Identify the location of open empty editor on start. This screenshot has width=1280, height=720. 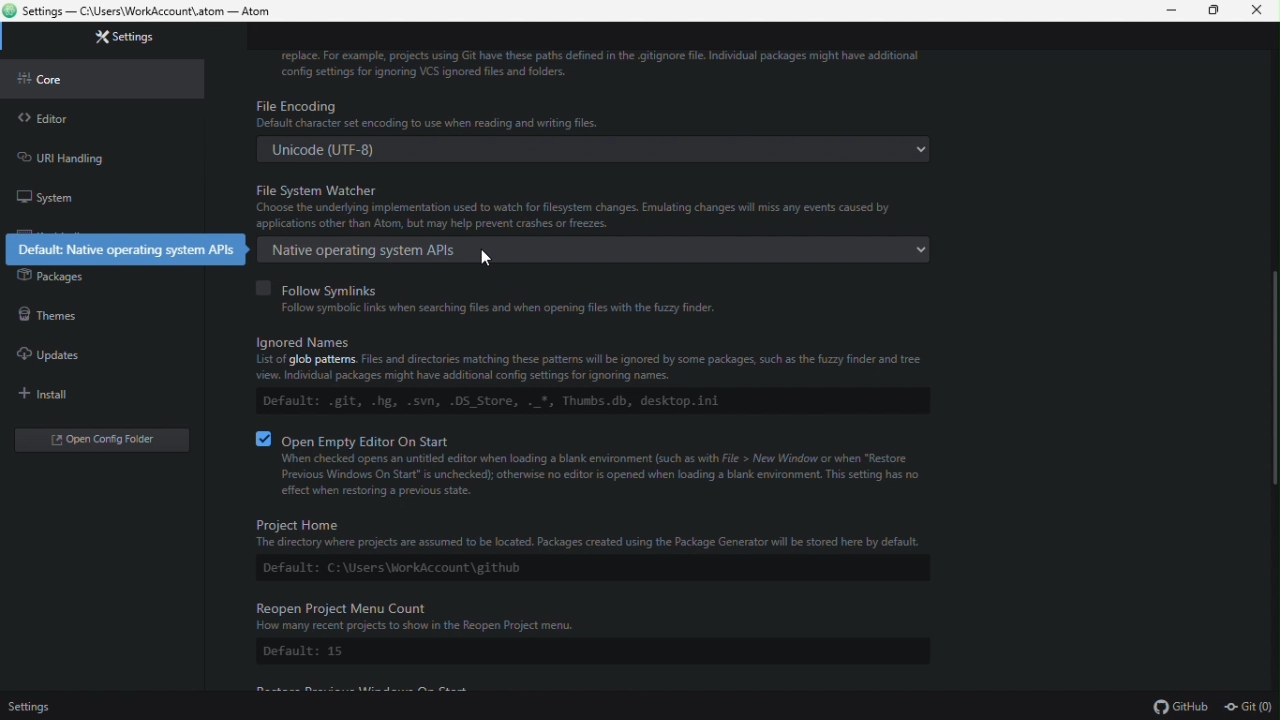
(598, 466).